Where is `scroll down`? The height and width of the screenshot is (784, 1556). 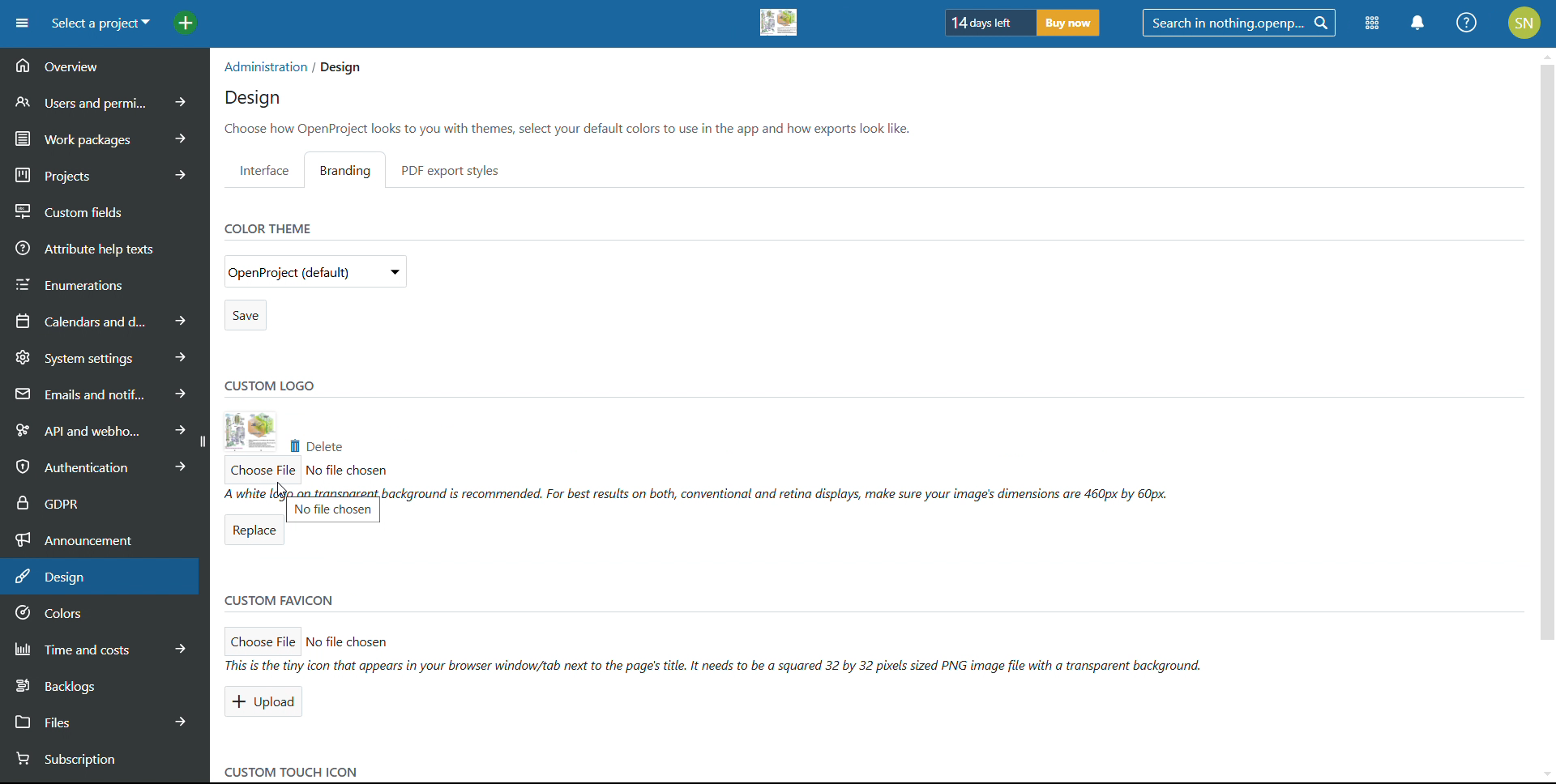 scroll down is located at coordinates (1541, 772).